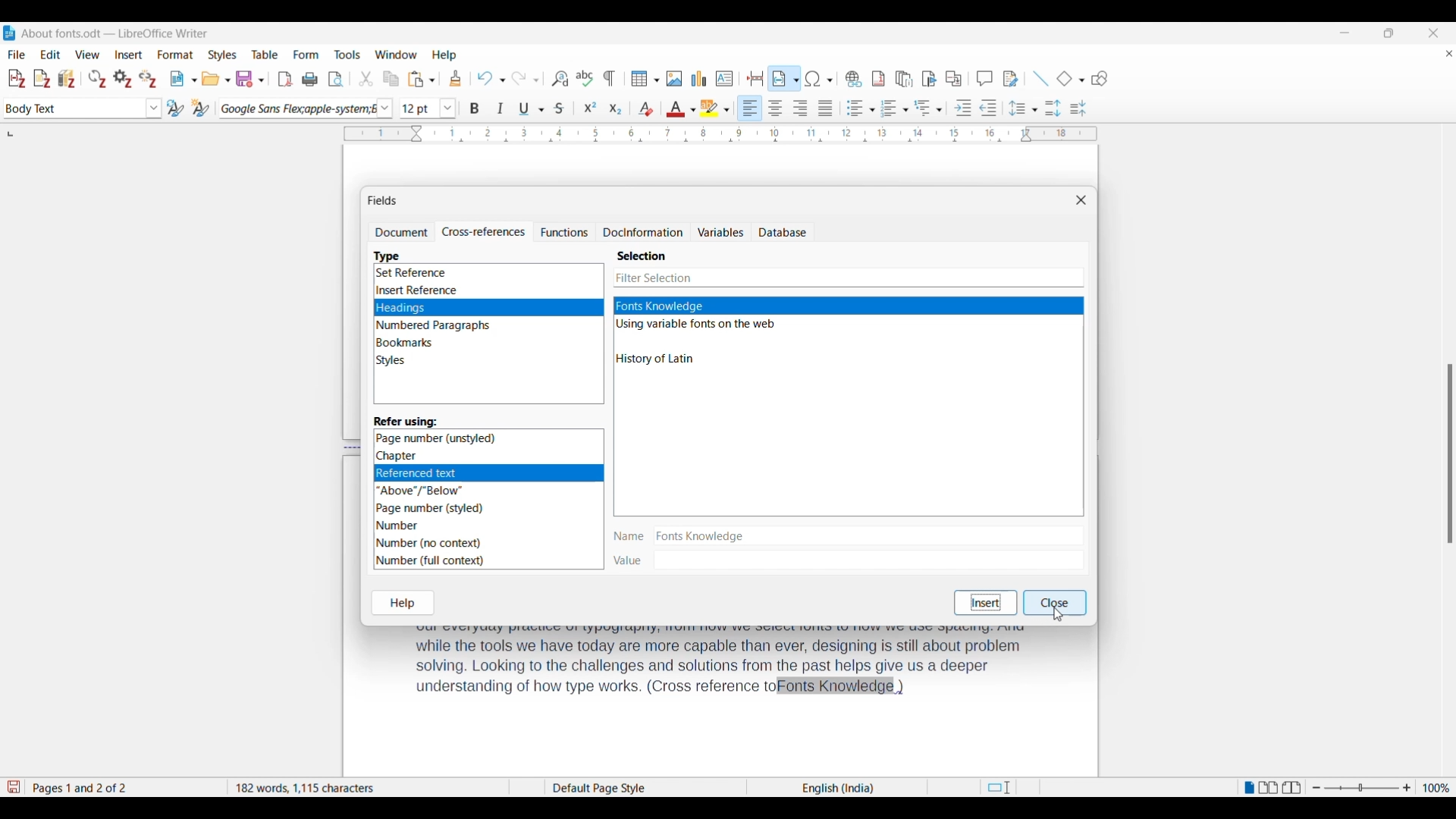 This screenshot has width=1456, height=819. I want to click on Toggle formatting marks, so click(610, 78).